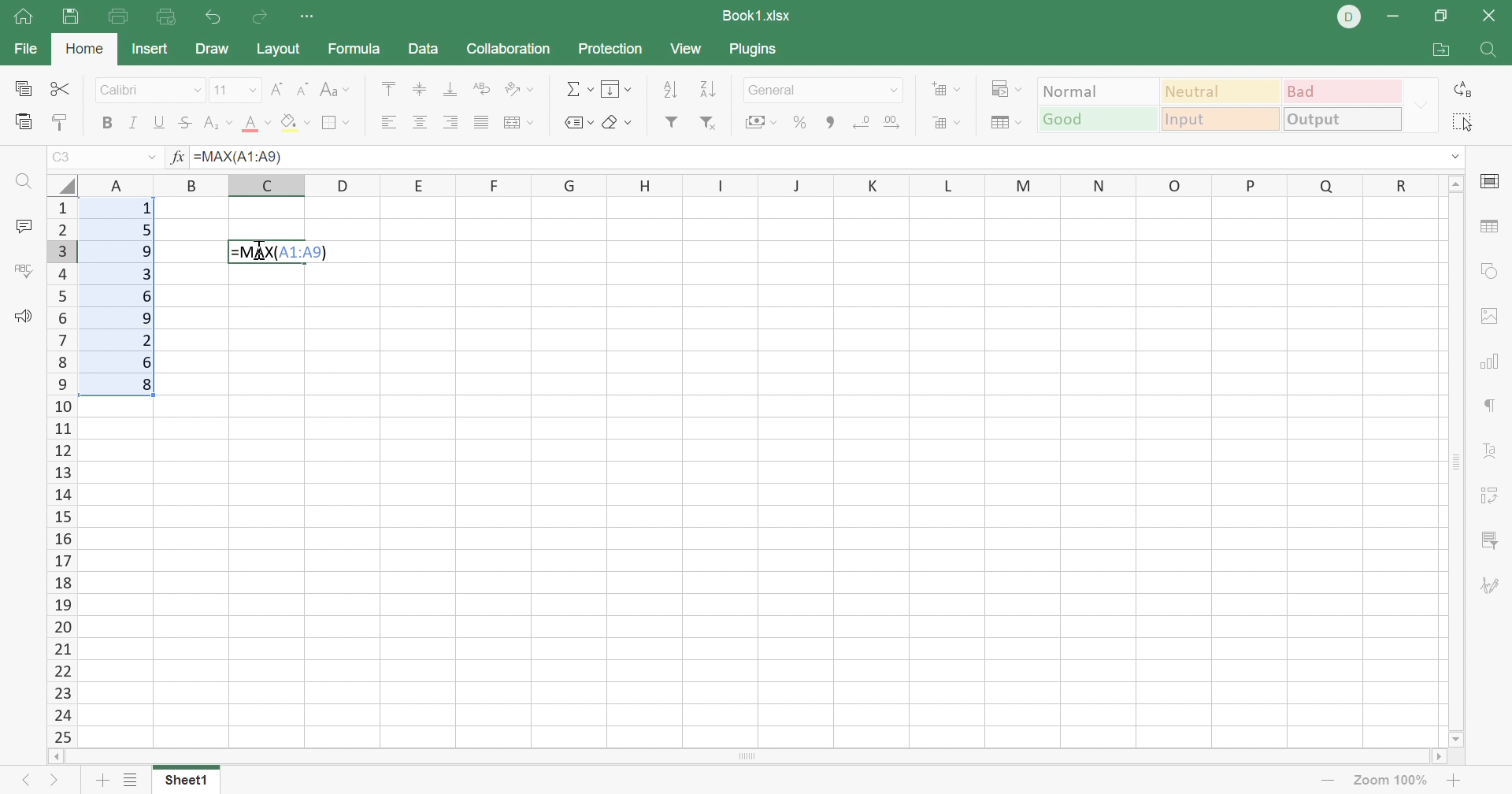 Image resolution: width=1512 pixels, height=794 pixels. Describe the element at coordinates (578, 89) in the screenshot. I see `Summation` at that location.